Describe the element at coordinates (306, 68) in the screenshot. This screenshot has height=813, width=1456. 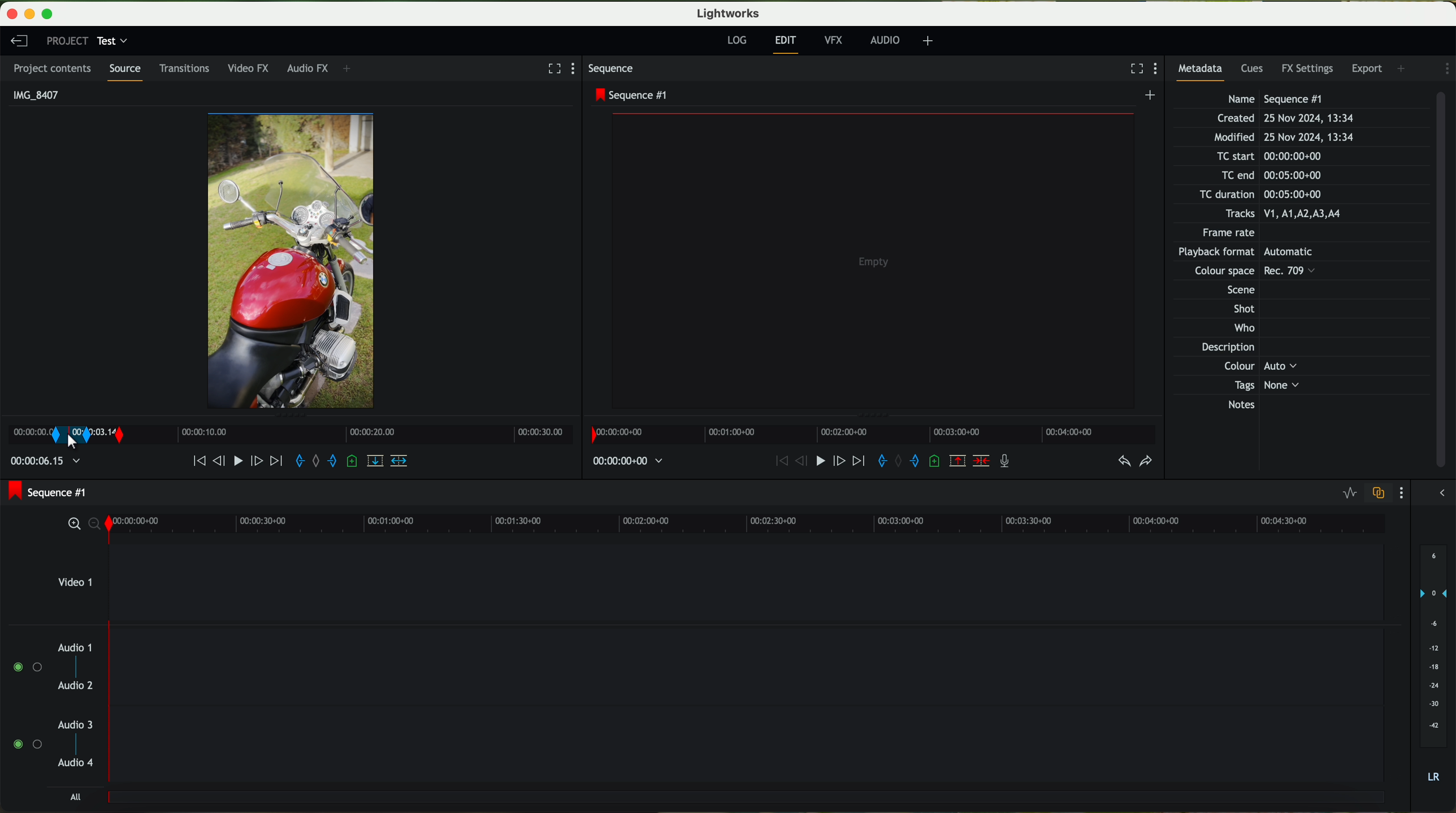
I see `audio FX` at that location.